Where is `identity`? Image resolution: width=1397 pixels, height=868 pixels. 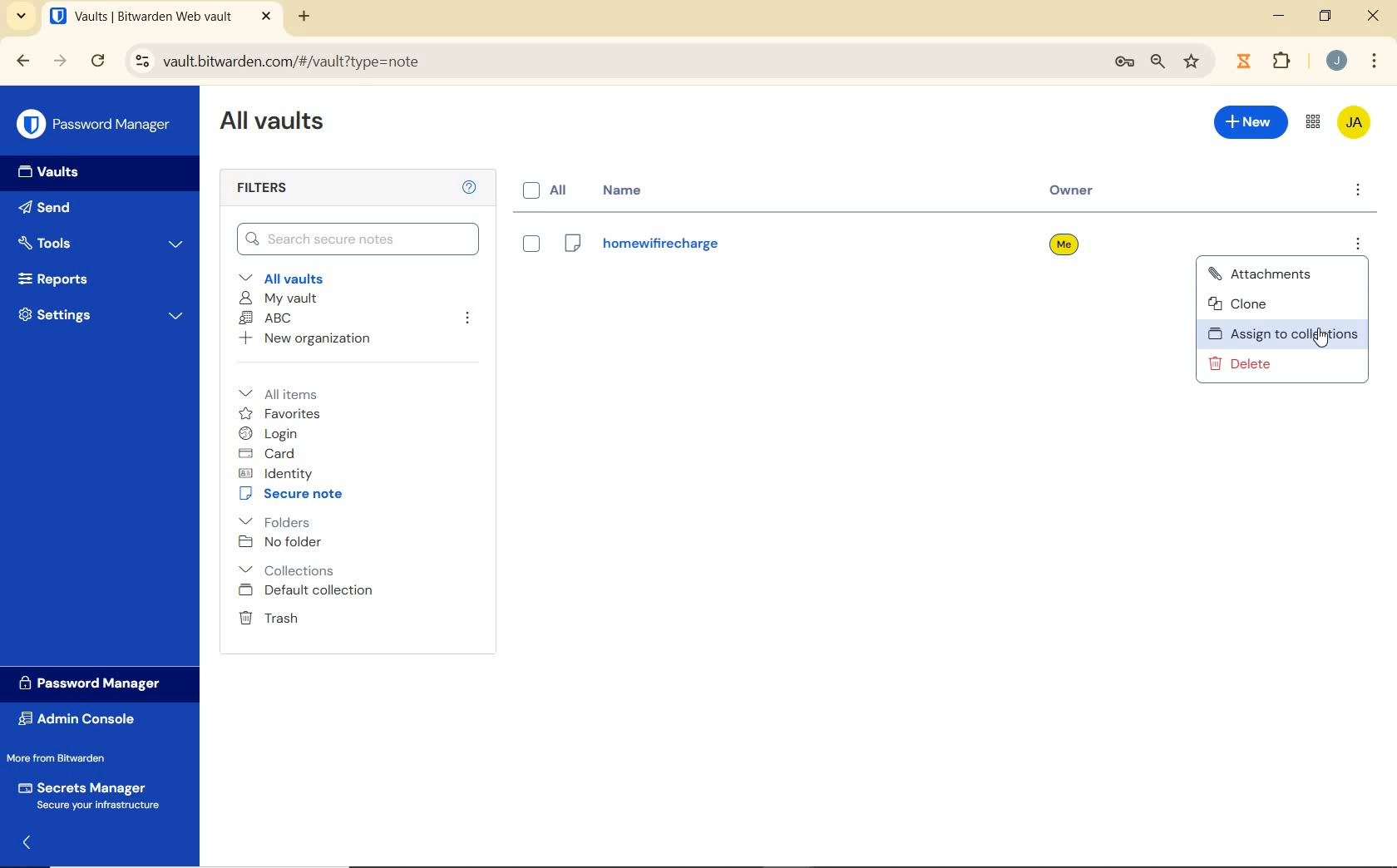
identity is located at coordinates (275, 472).